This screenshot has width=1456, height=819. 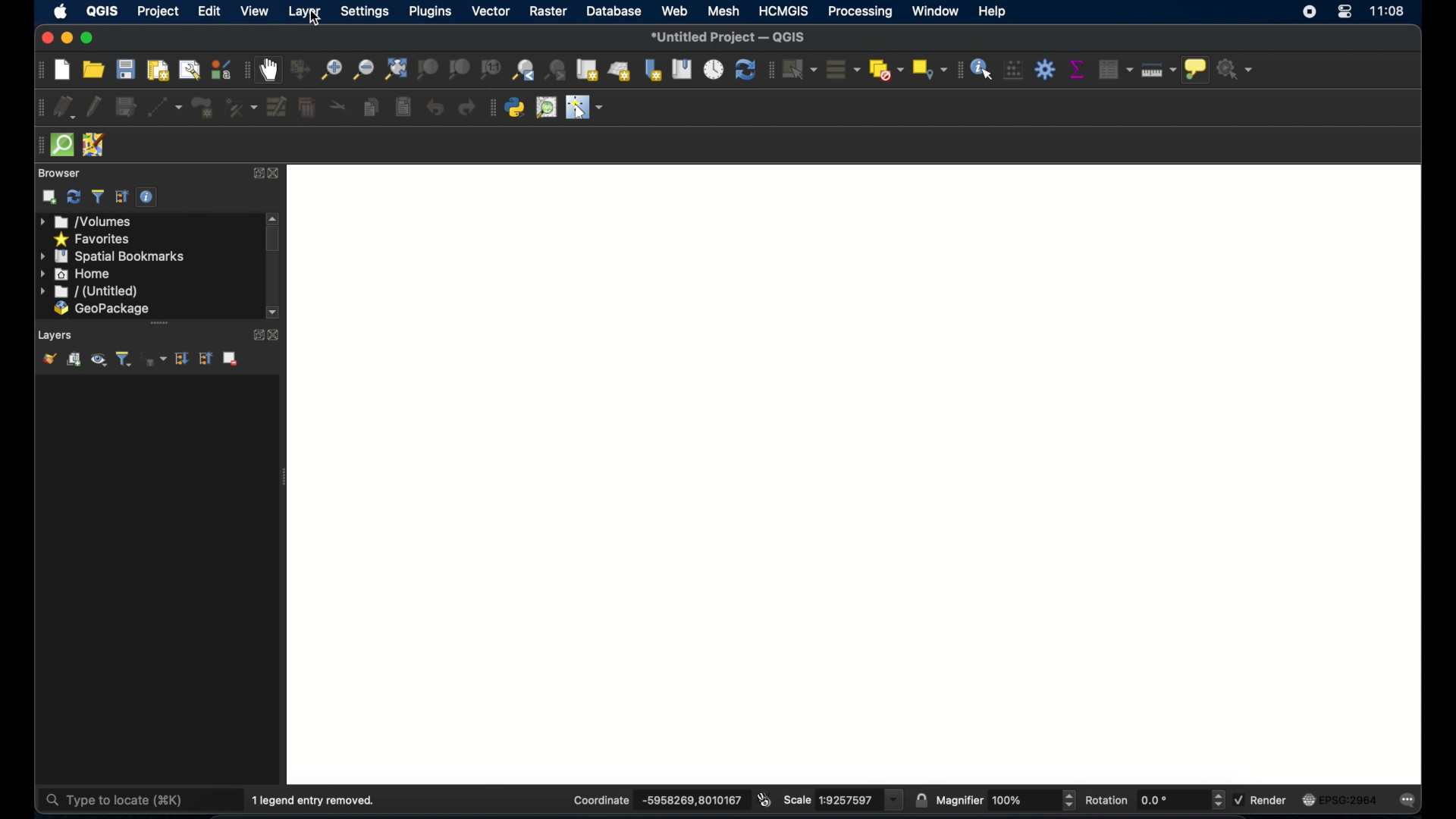 I want to click on create new project, so click(x=61, y=70).